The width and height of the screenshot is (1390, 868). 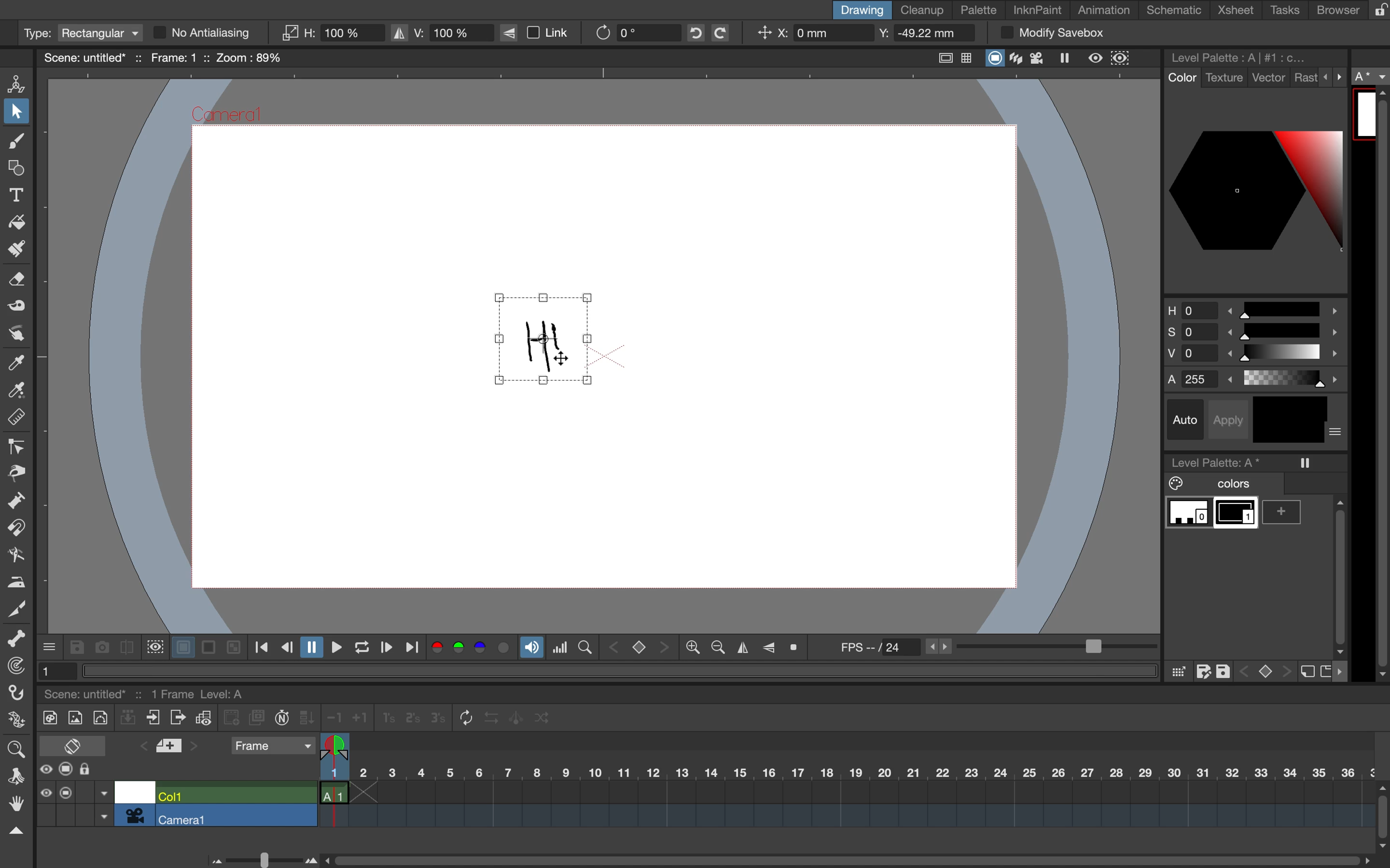 What do you see at coordinates (17, 472) in the screenshot?
I see `pinch tool` at bounding box center [17, 472].